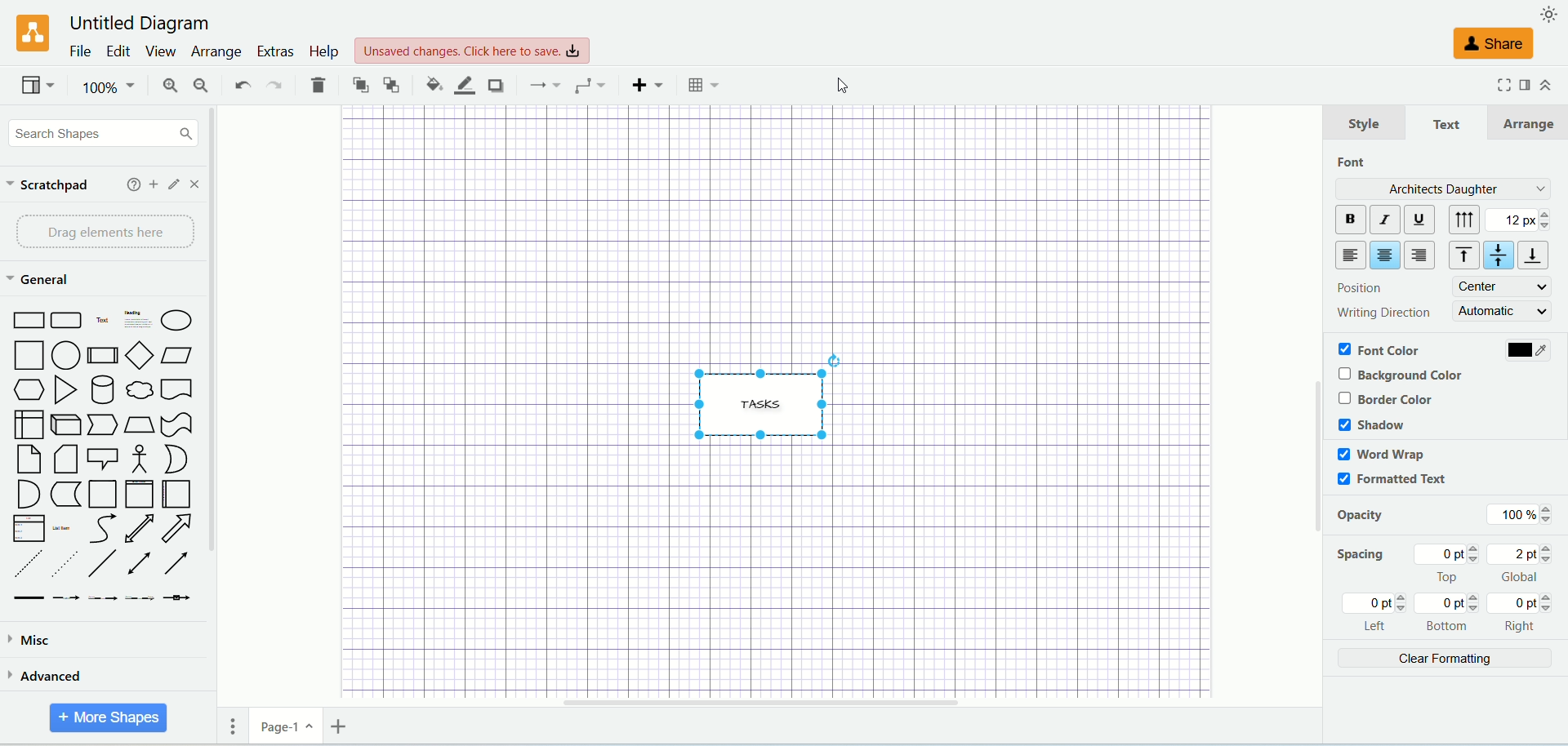  Describe the element at coordinates (28, 460) in the screenshot. I see `Note` at that location.